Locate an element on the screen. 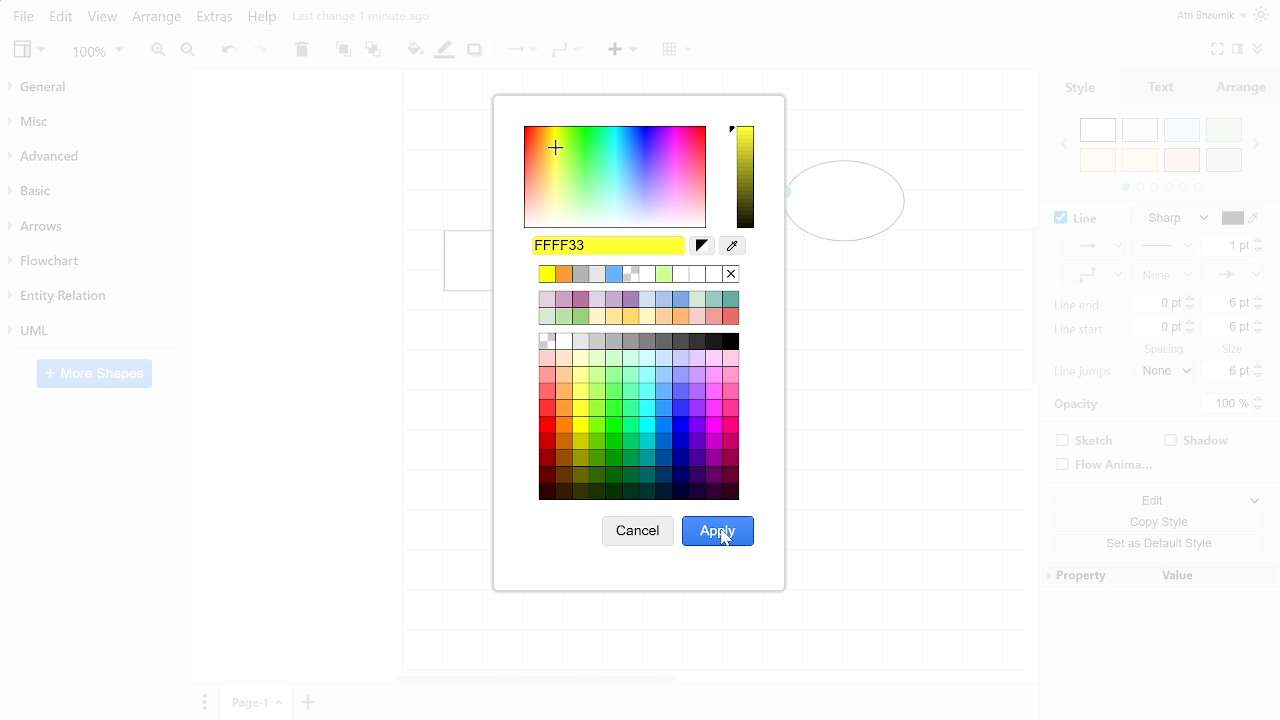 Image resolution: width=1280 pixels, height=720 pixels. Apply is located at coordinates (720, 531).